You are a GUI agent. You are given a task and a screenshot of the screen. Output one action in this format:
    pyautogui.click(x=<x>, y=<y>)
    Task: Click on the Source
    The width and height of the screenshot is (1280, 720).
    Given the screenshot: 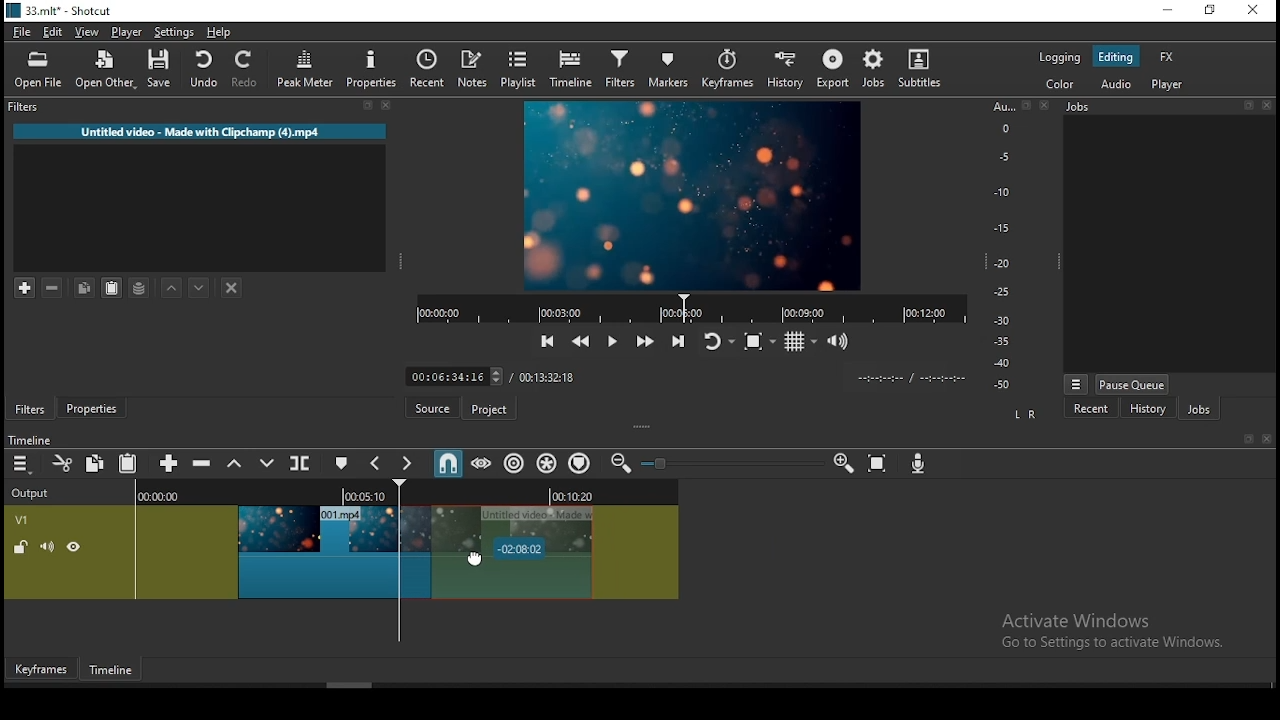 What is the action you would take?
    pyautogui.click(x=430, y=408)
    